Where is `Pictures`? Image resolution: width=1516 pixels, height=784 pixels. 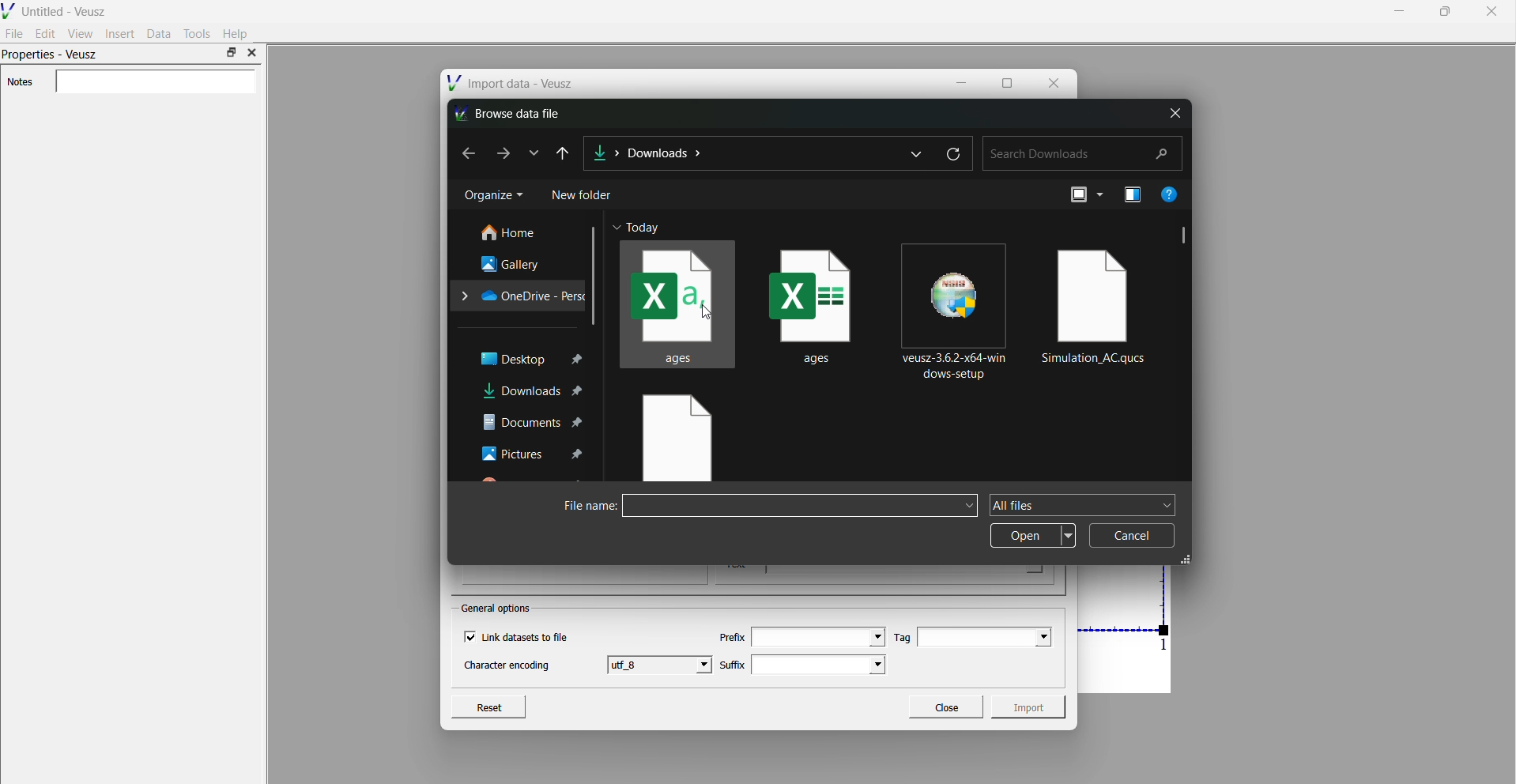
Pictures is located at coordinates (534, 453).